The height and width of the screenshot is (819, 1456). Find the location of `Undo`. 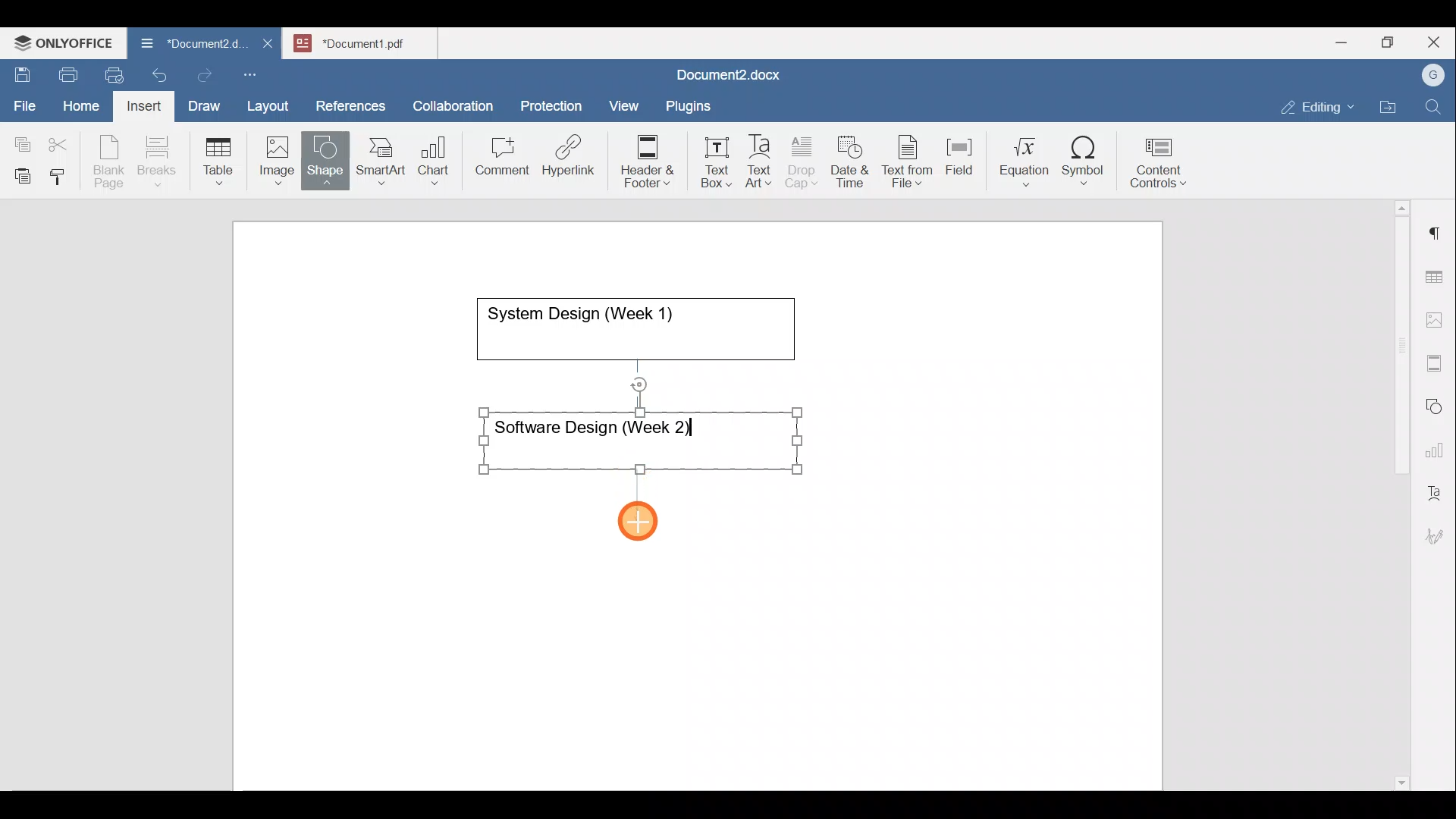

Undo is located at coordinates (156, 73).